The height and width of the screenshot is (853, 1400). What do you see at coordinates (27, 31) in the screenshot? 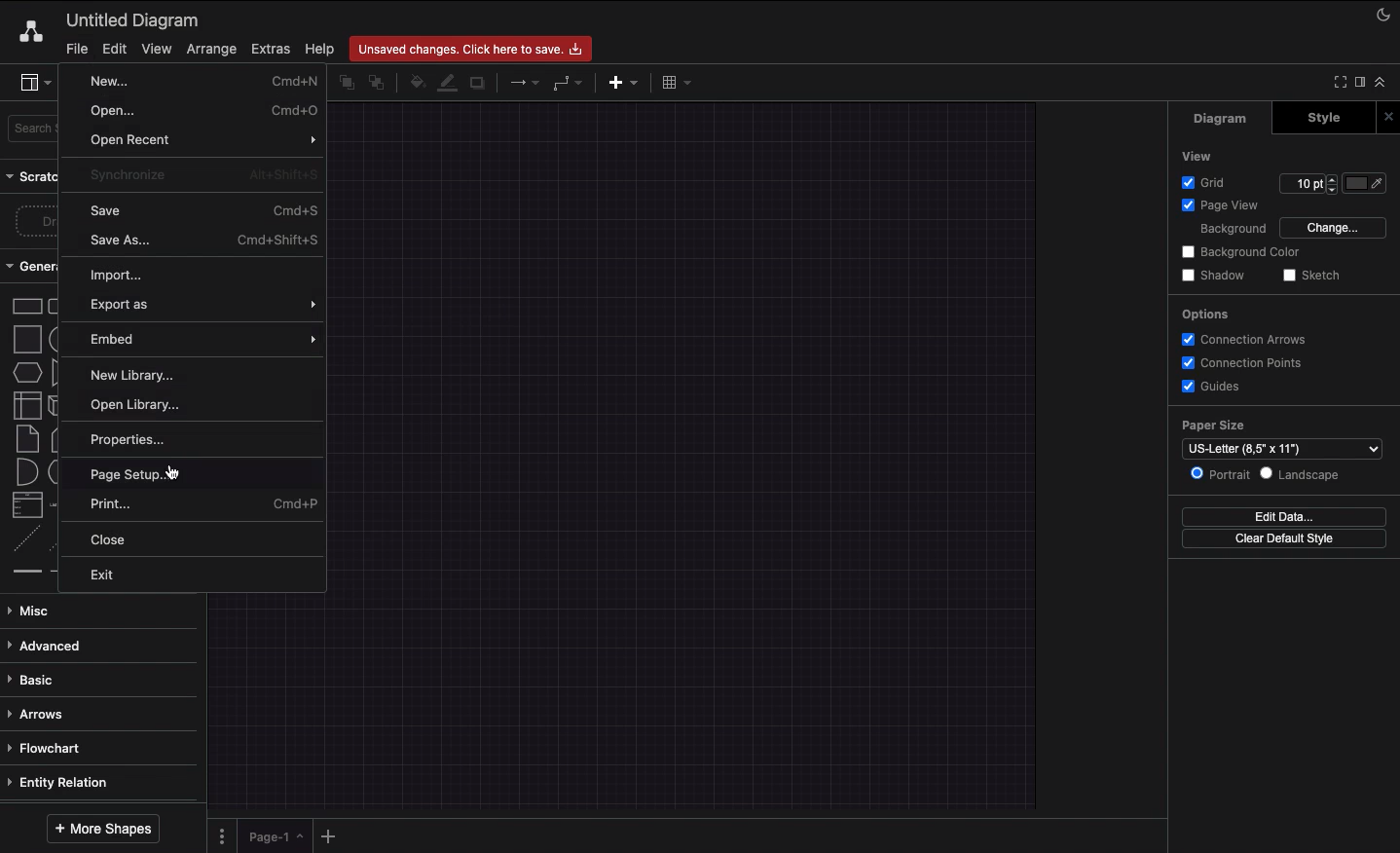
I see `Draw.io` at bounding box center [27, 31].